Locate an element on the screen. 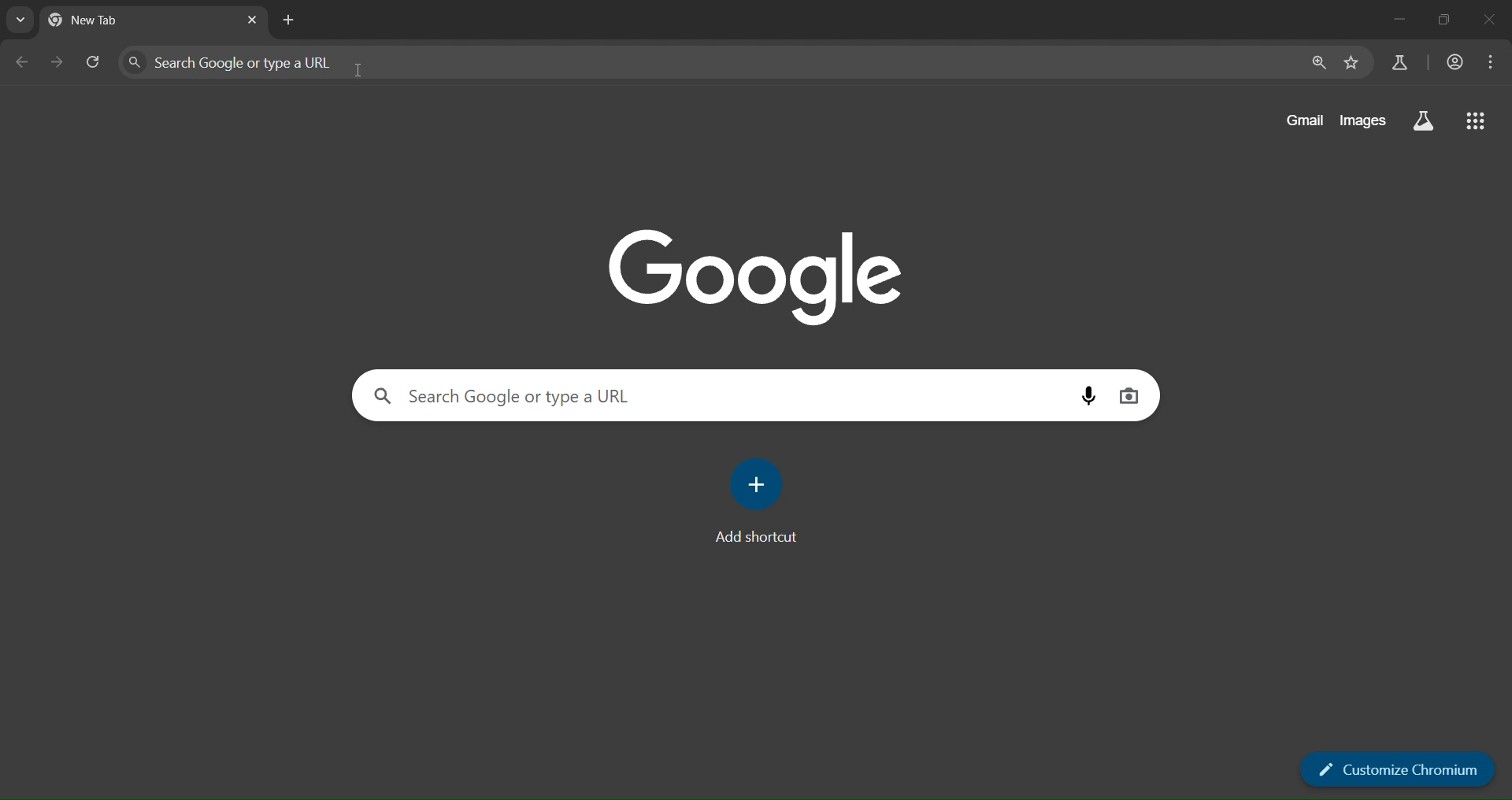 Image resolution: width=1512 pixels, height=800 pixels. go forward one page is located at coordinates (60, 64).